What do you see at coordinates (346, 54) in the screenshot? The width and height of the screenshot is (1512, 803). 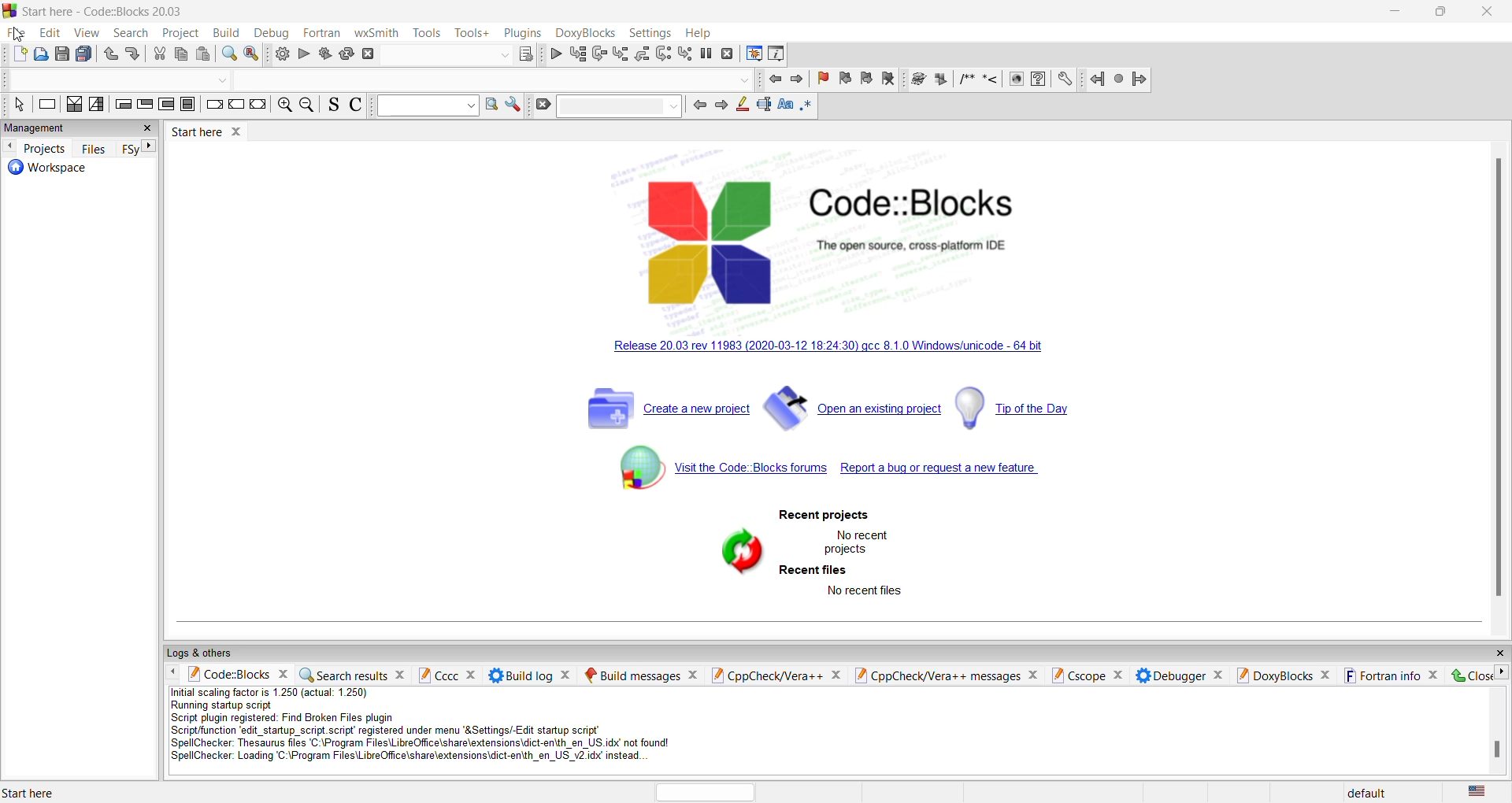 I see `rebuild` at bounding box center [346, 54].